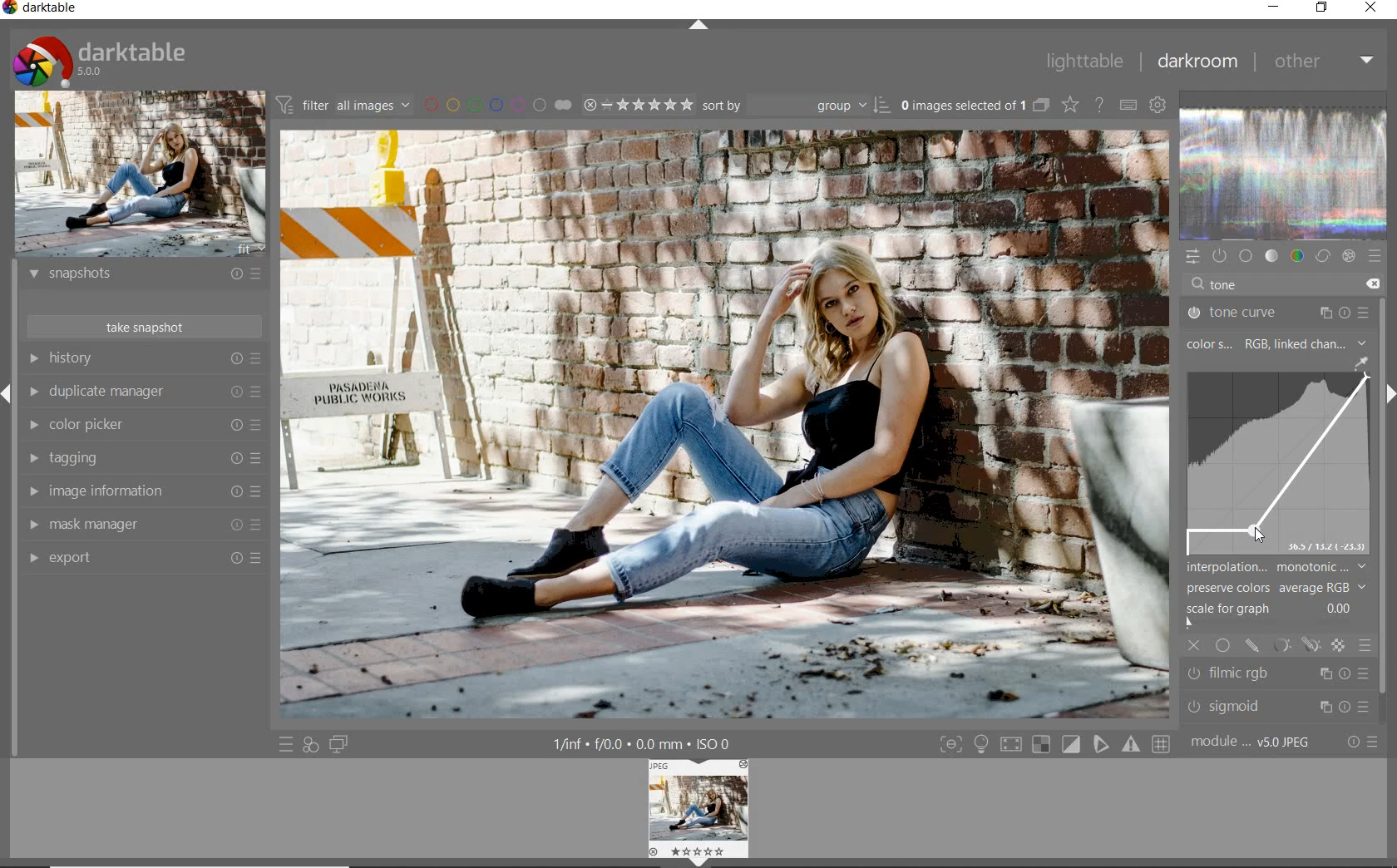 This screenshot has width=1397, height=868. What do you see at coordinates (1296, 257) in the screenshot?
I see `color` at bounding box center [1296, 257].